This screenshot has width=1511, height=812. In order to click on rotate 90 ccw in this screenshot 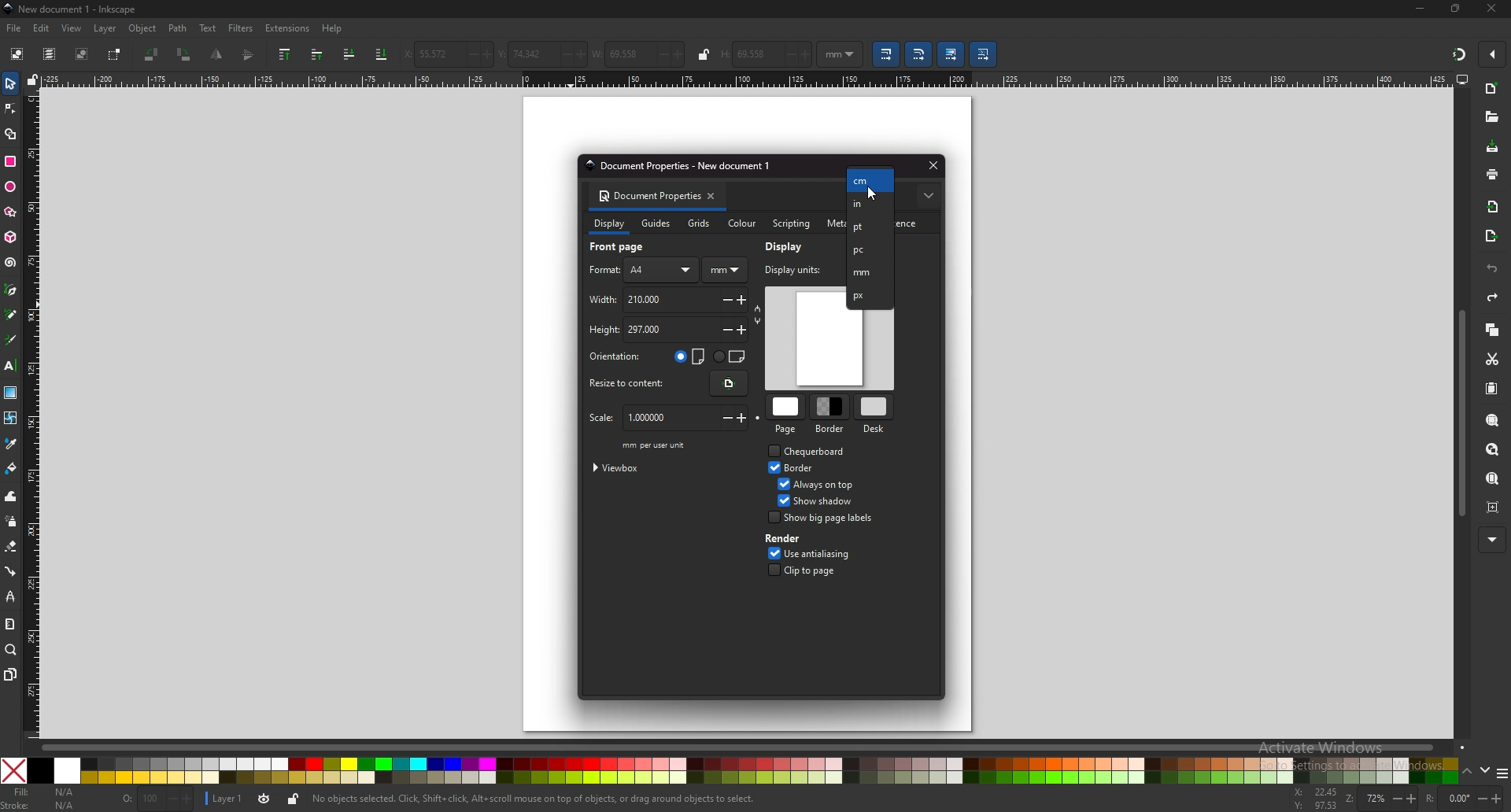, I will do `click(153, 54)`.